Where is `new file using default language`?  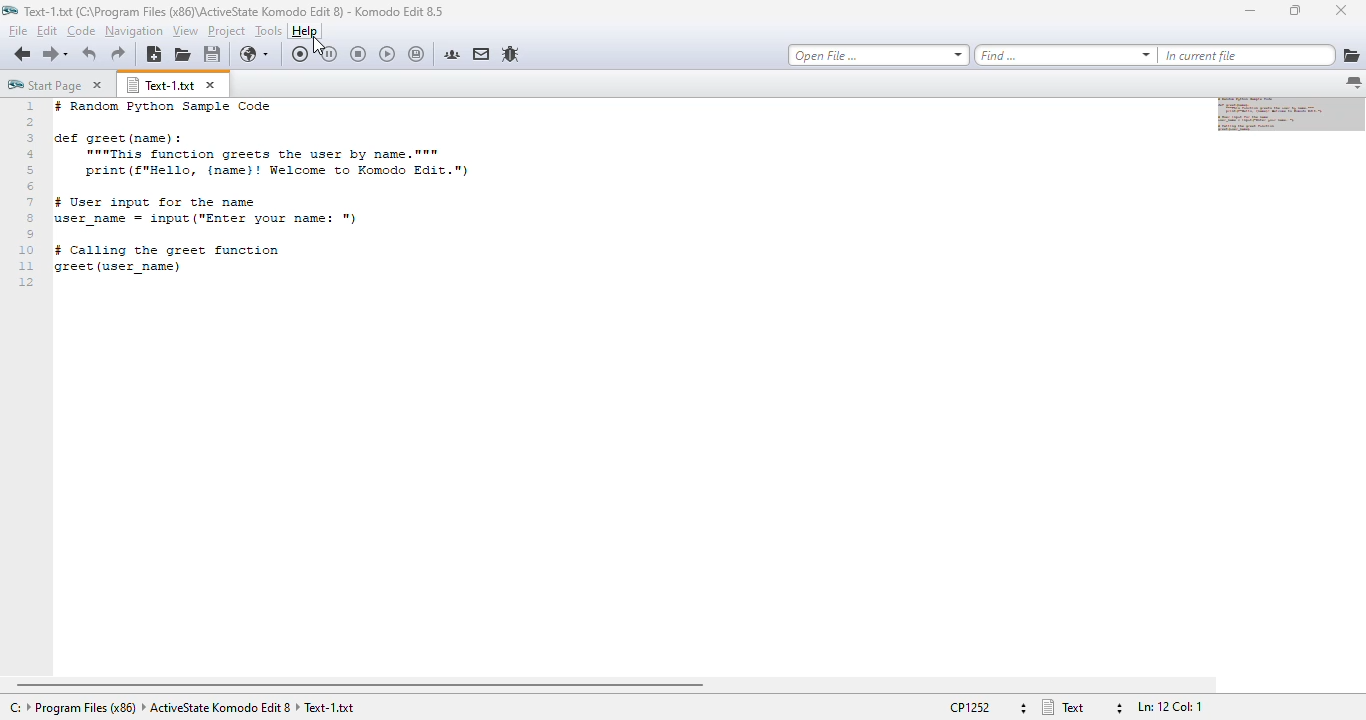
new file using default language is located at coordinates (155, 55).